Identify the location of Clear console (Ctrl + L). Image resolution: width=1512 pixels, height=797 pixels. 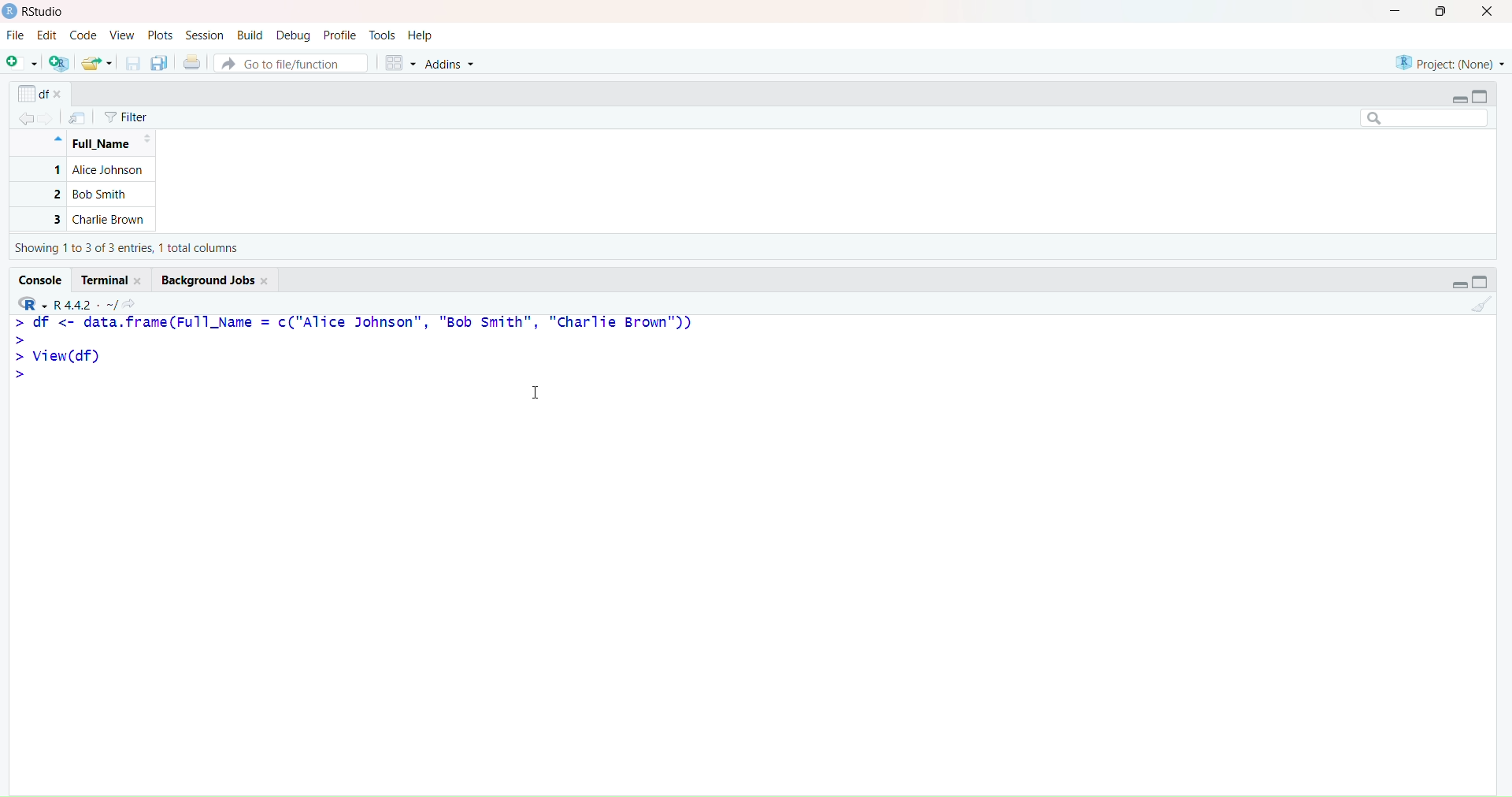
(1481, 306).